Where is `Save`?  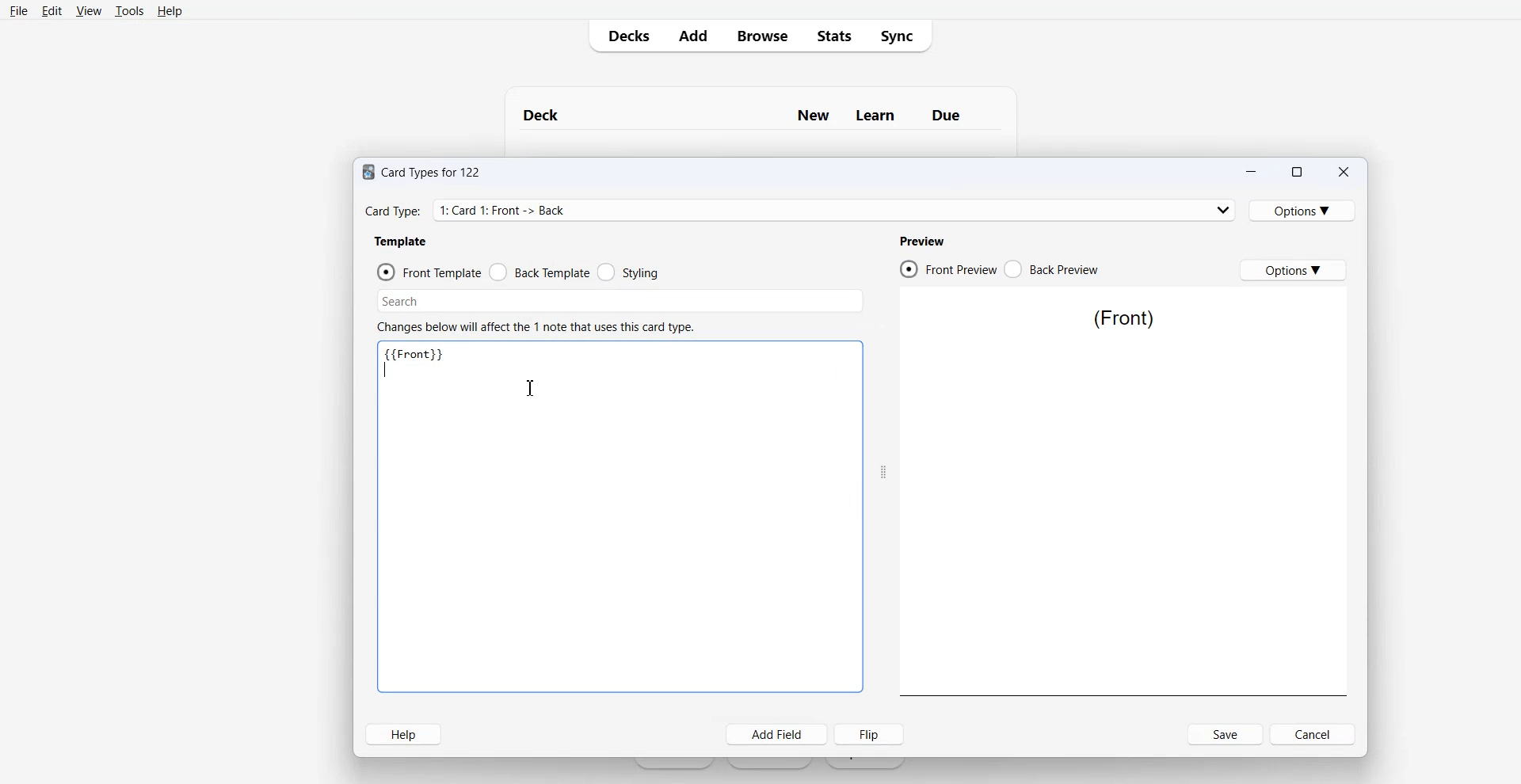 Save is located at coordinates (1226, 734).